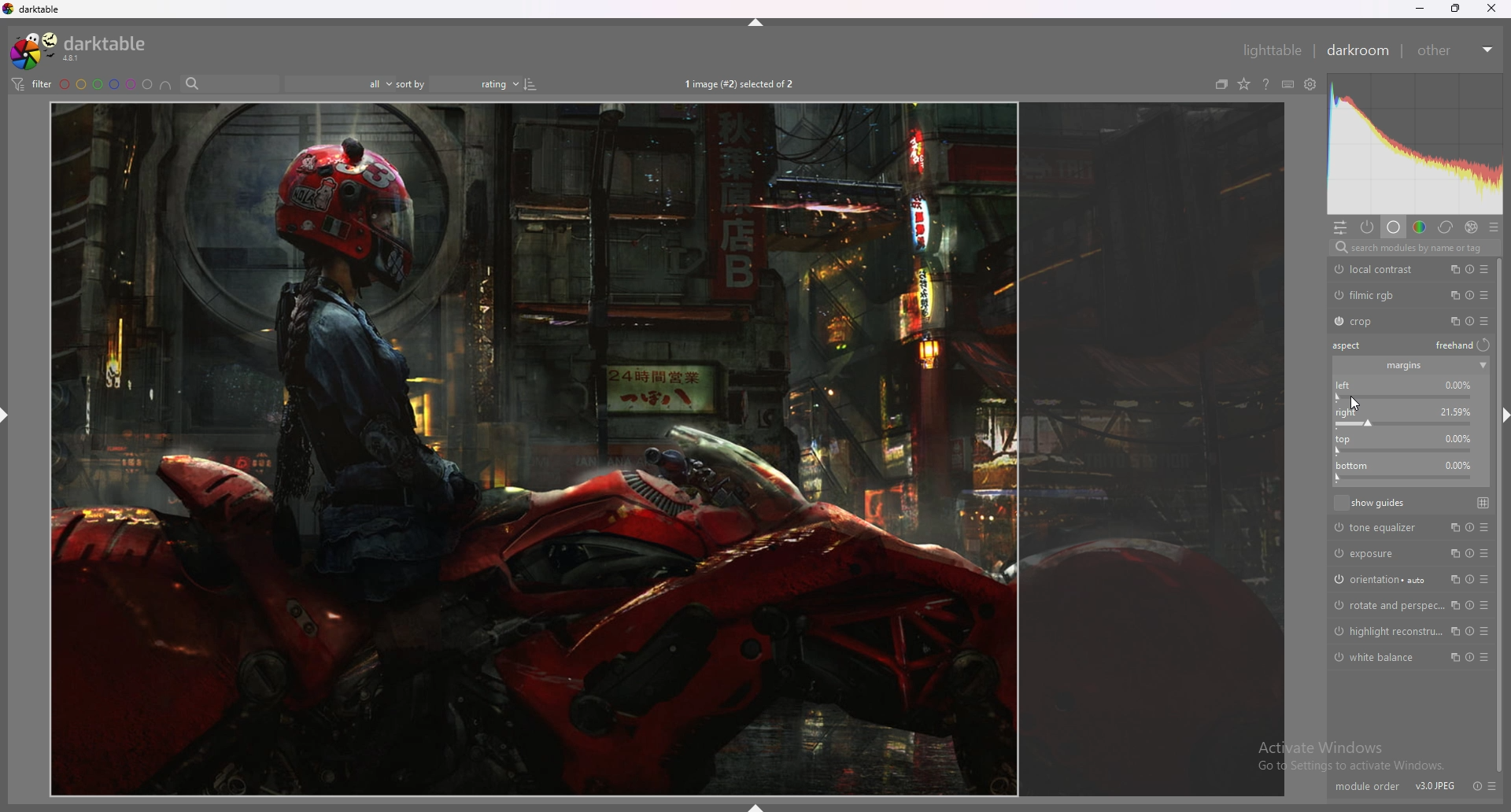  Describe the element at coordinates (1455, 8) in the screenshot. I see `resize` at that location.